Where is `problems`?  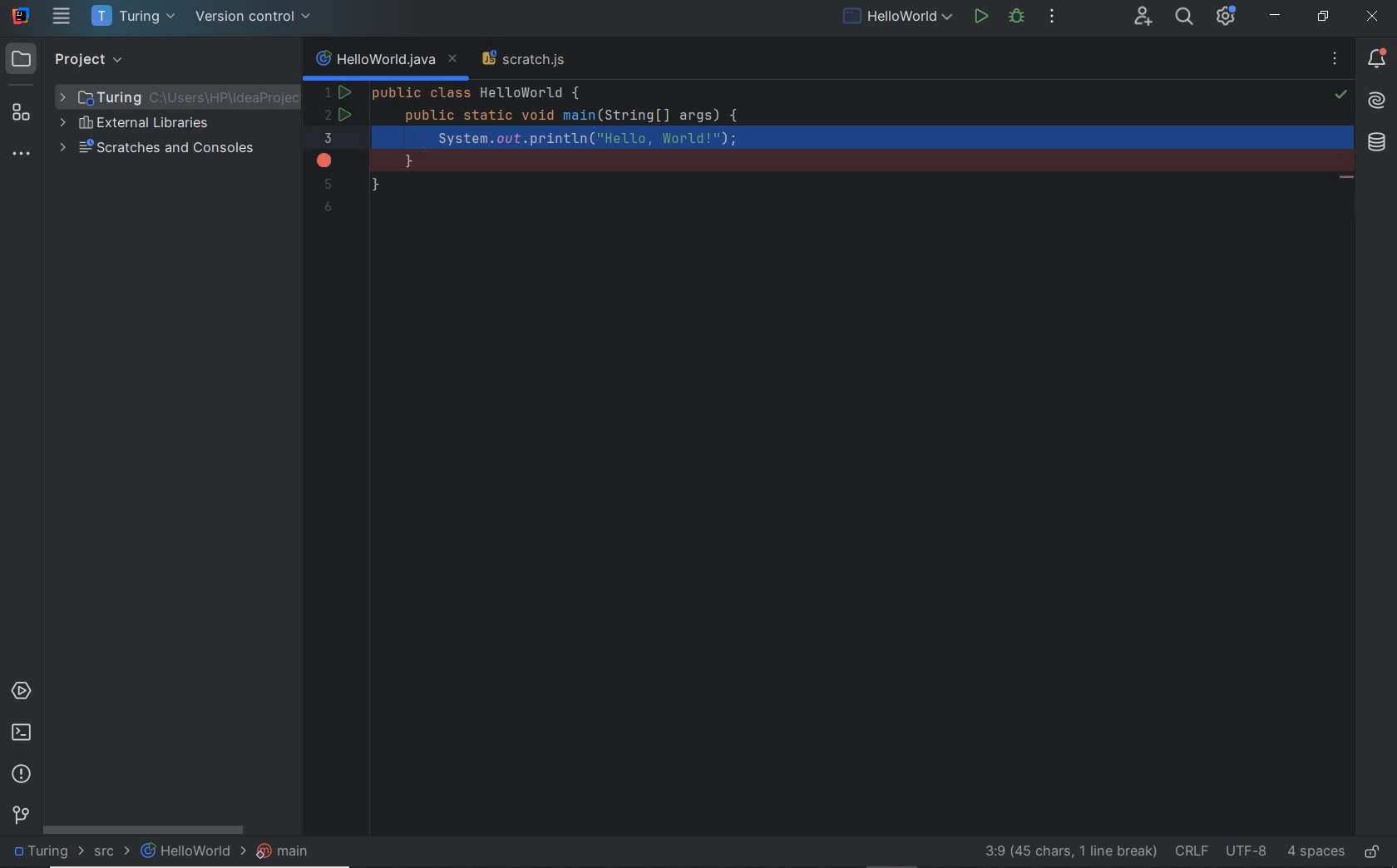
problems is located at coordinates (23, 775).